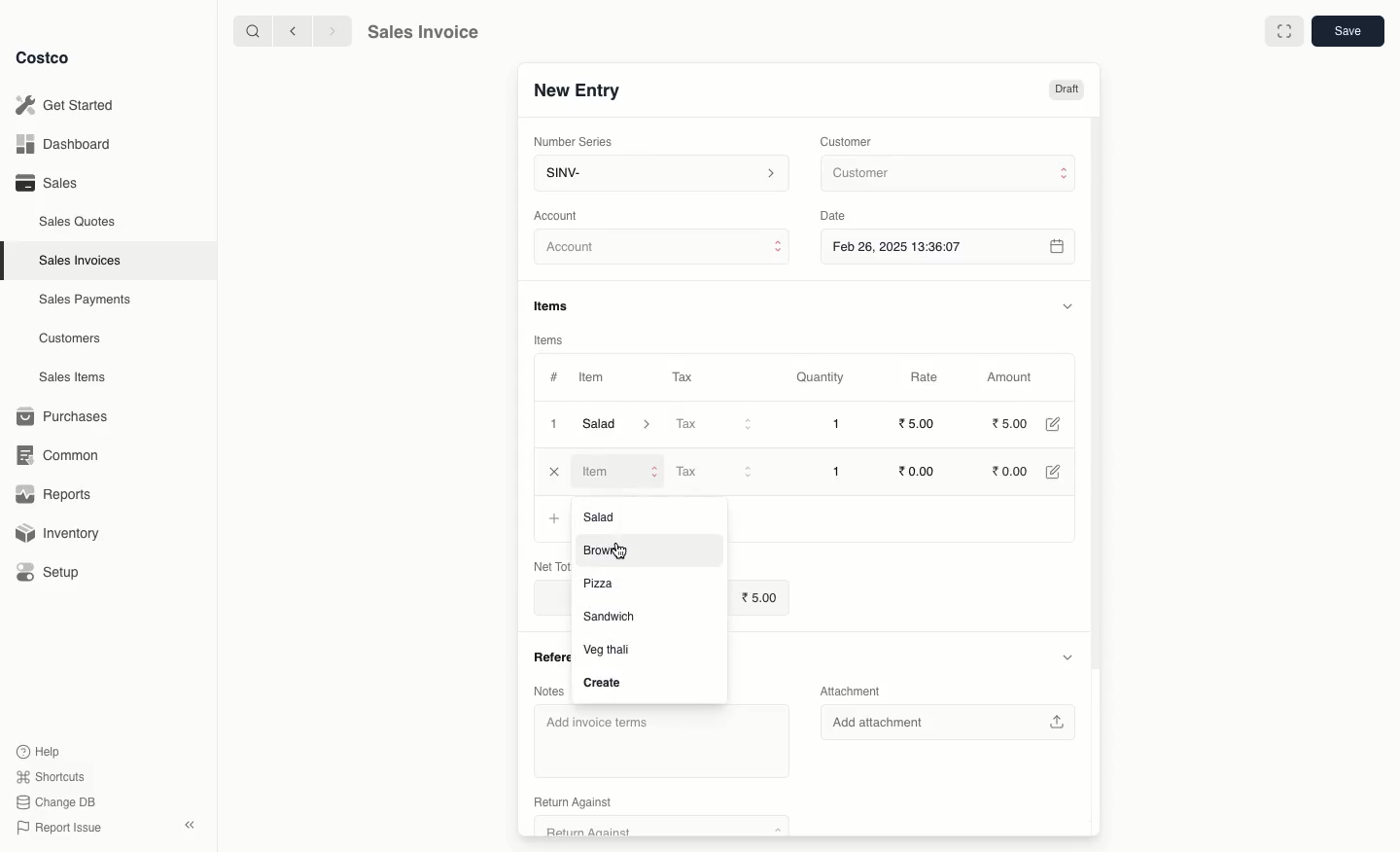 The image size is (1400, 852). I want to click on Rate, so click(927, 377).